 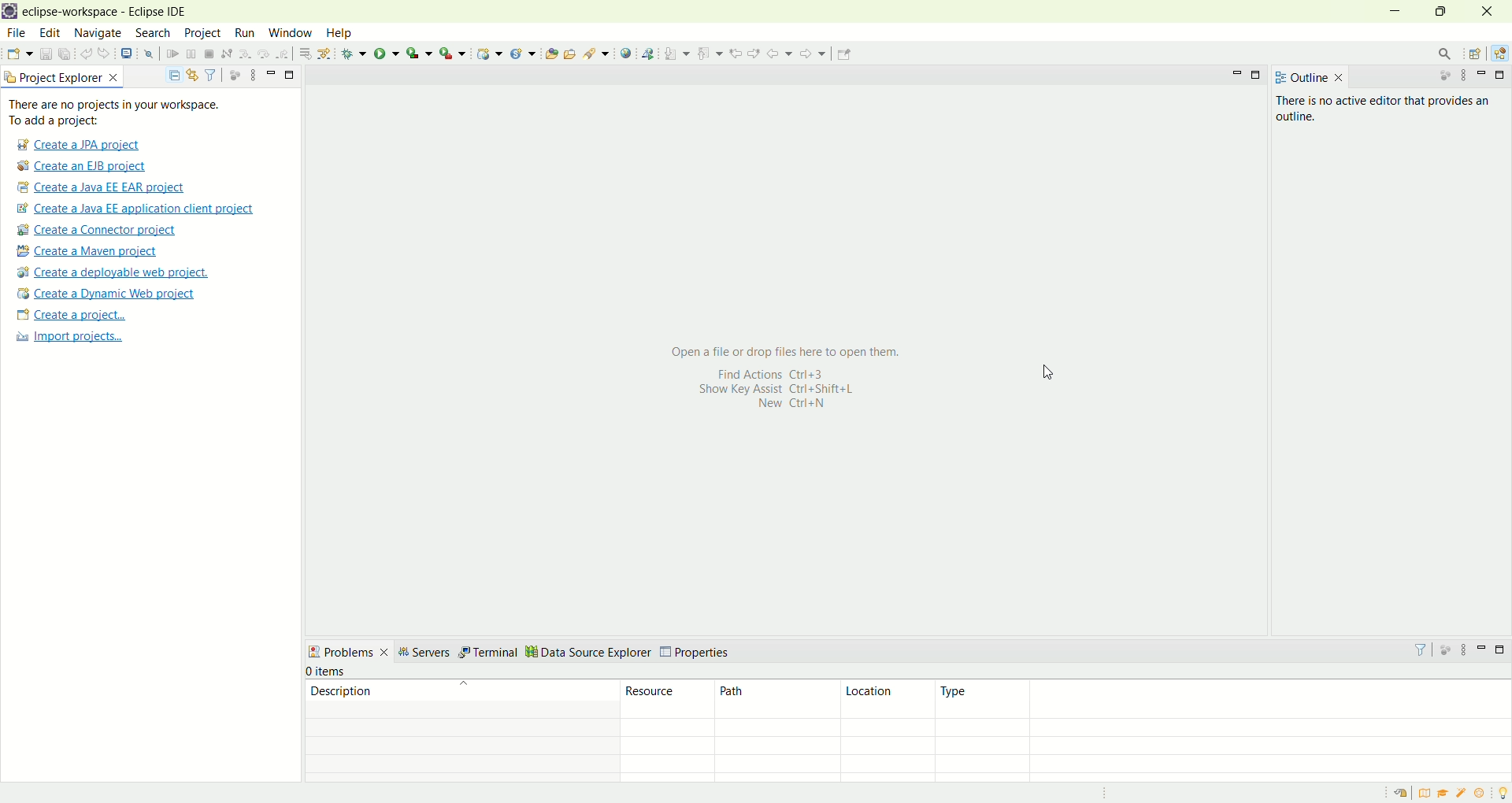 I want to click on logo, so click(x=10, y=11).